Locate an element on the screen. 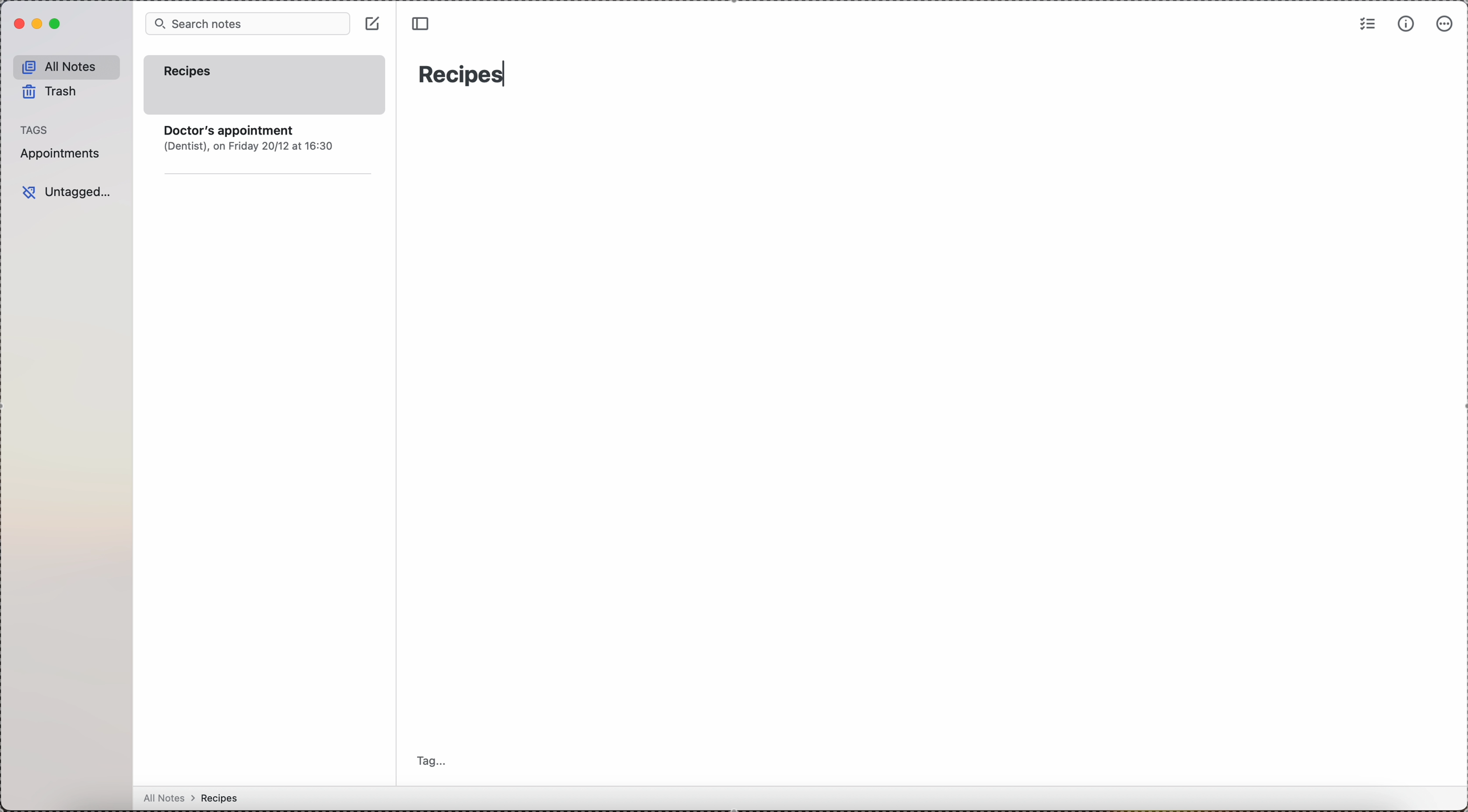  metrics is located at coordinates (1406, 24).